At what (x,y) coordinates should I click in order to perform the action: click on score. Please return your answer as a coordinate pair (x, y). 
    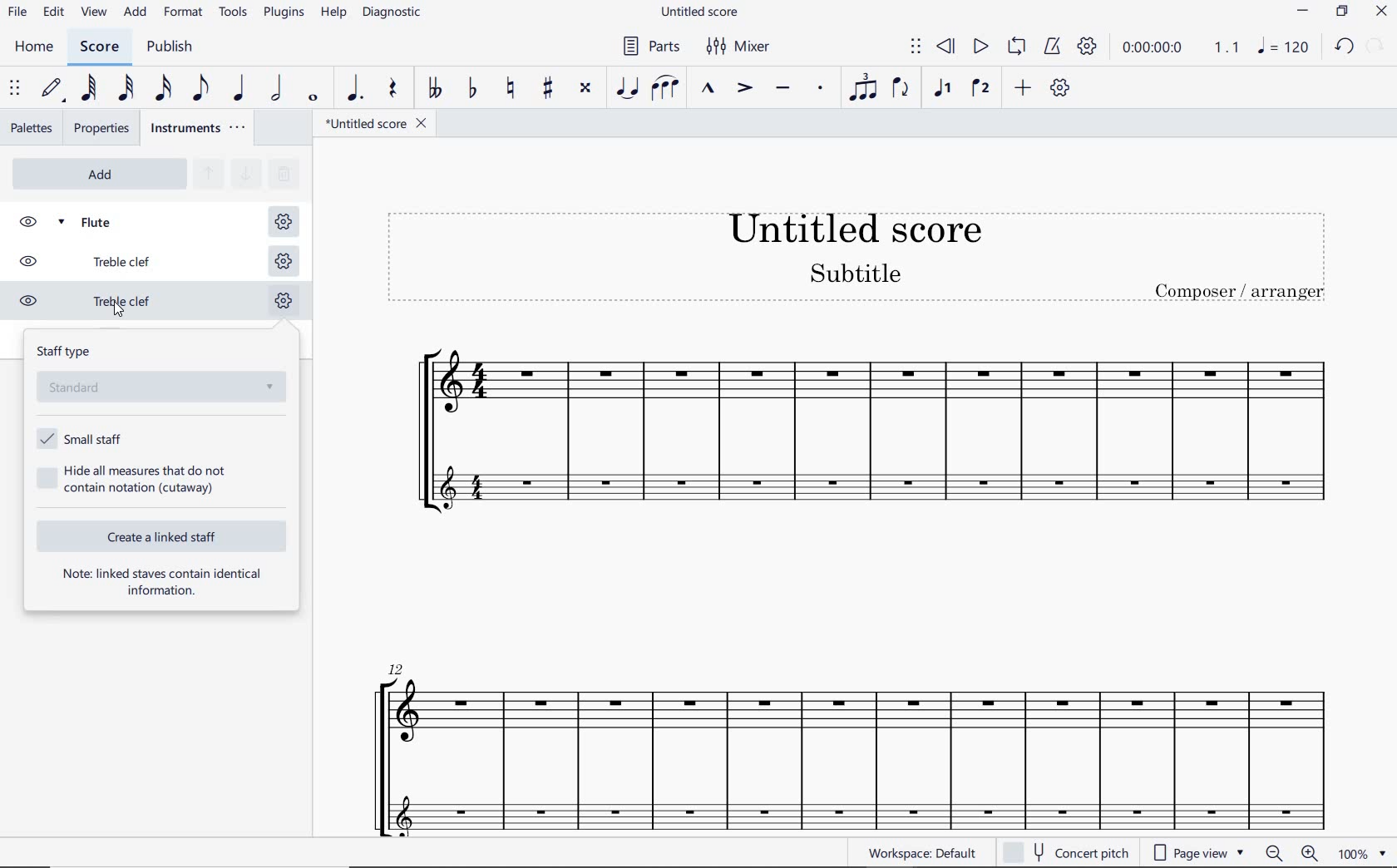
    Looking at the image, I should click on (100, 47).